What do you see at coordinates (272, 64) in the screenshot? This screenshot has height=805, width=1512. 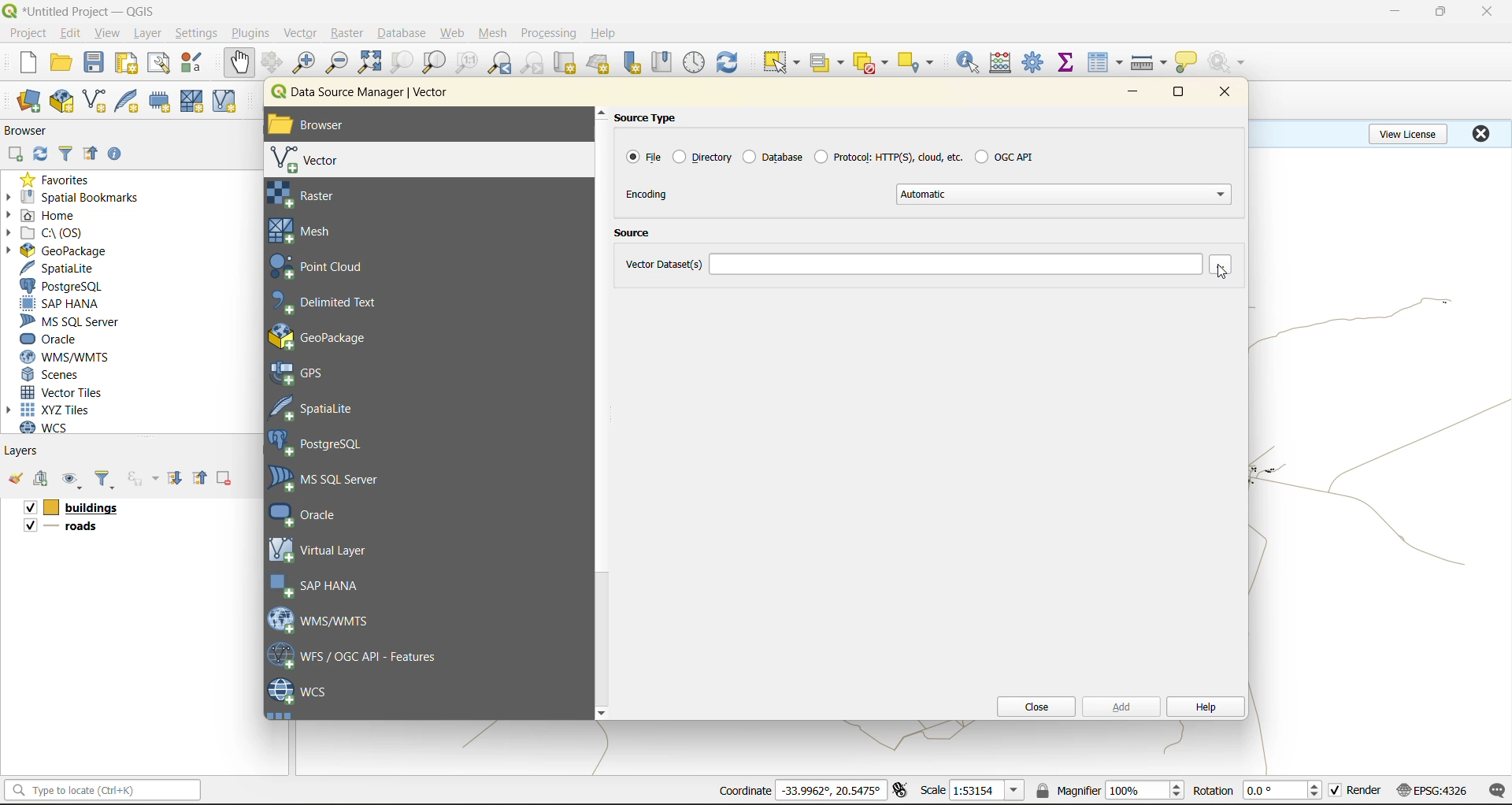 I see `pan to selection` at bounding box center [272, 64].